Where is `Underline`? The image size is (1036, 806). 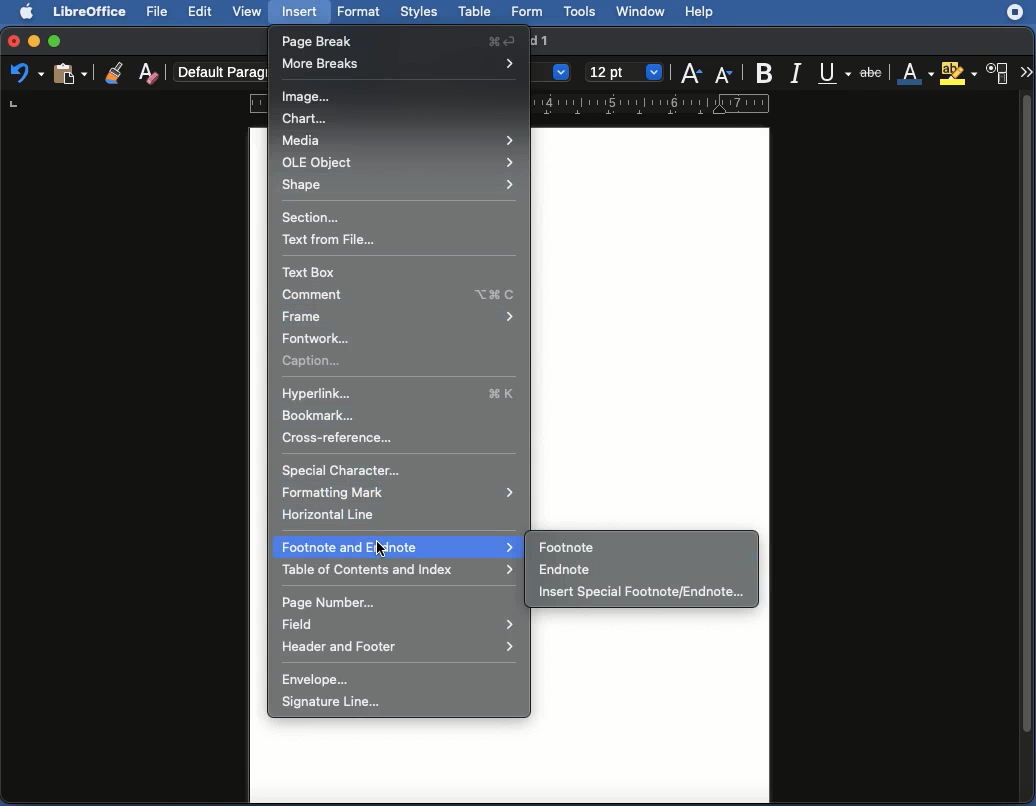 Underline is located at coordinates (836, 73).